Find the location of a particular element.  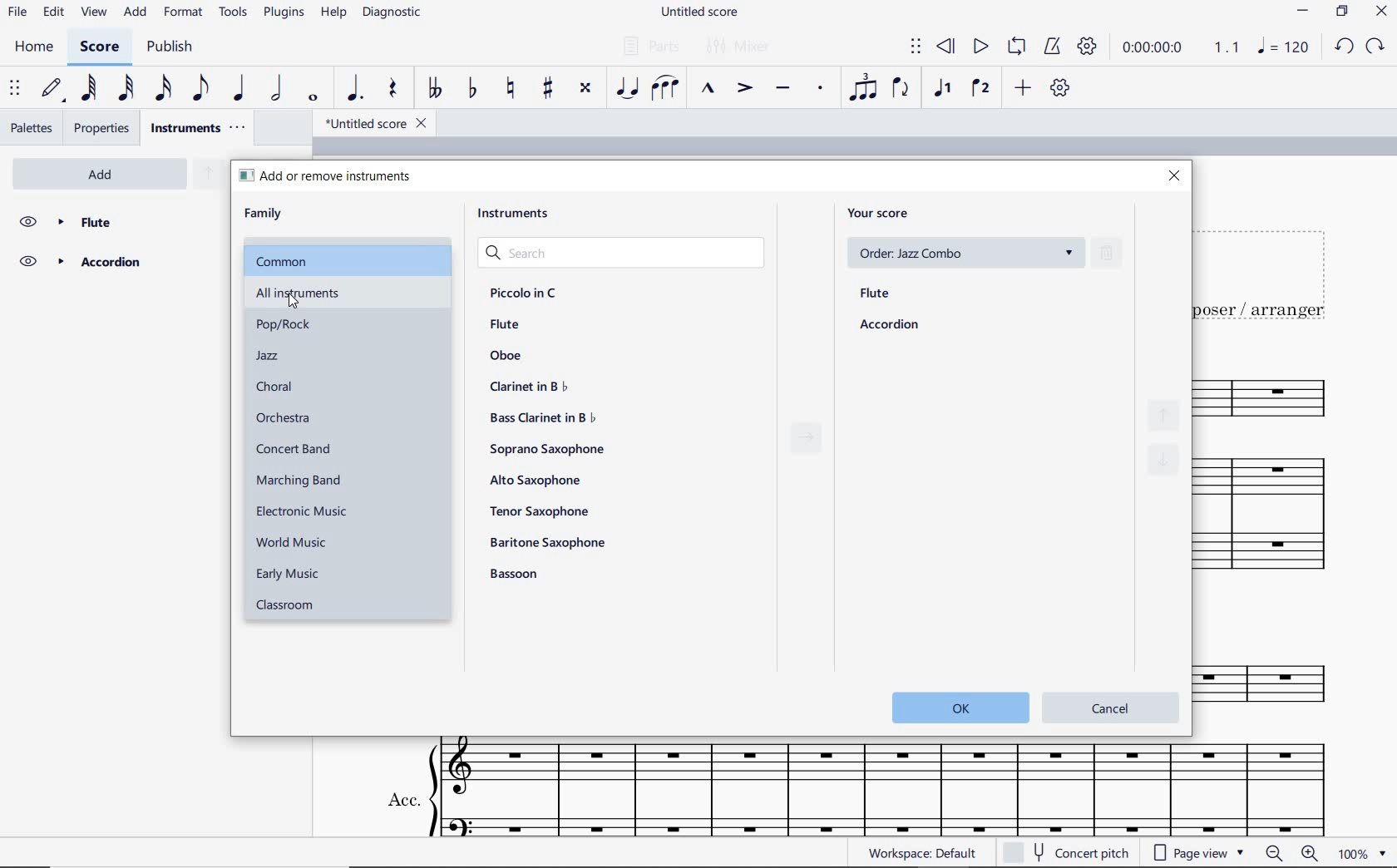

64th note is located at coordinates (89, 88).